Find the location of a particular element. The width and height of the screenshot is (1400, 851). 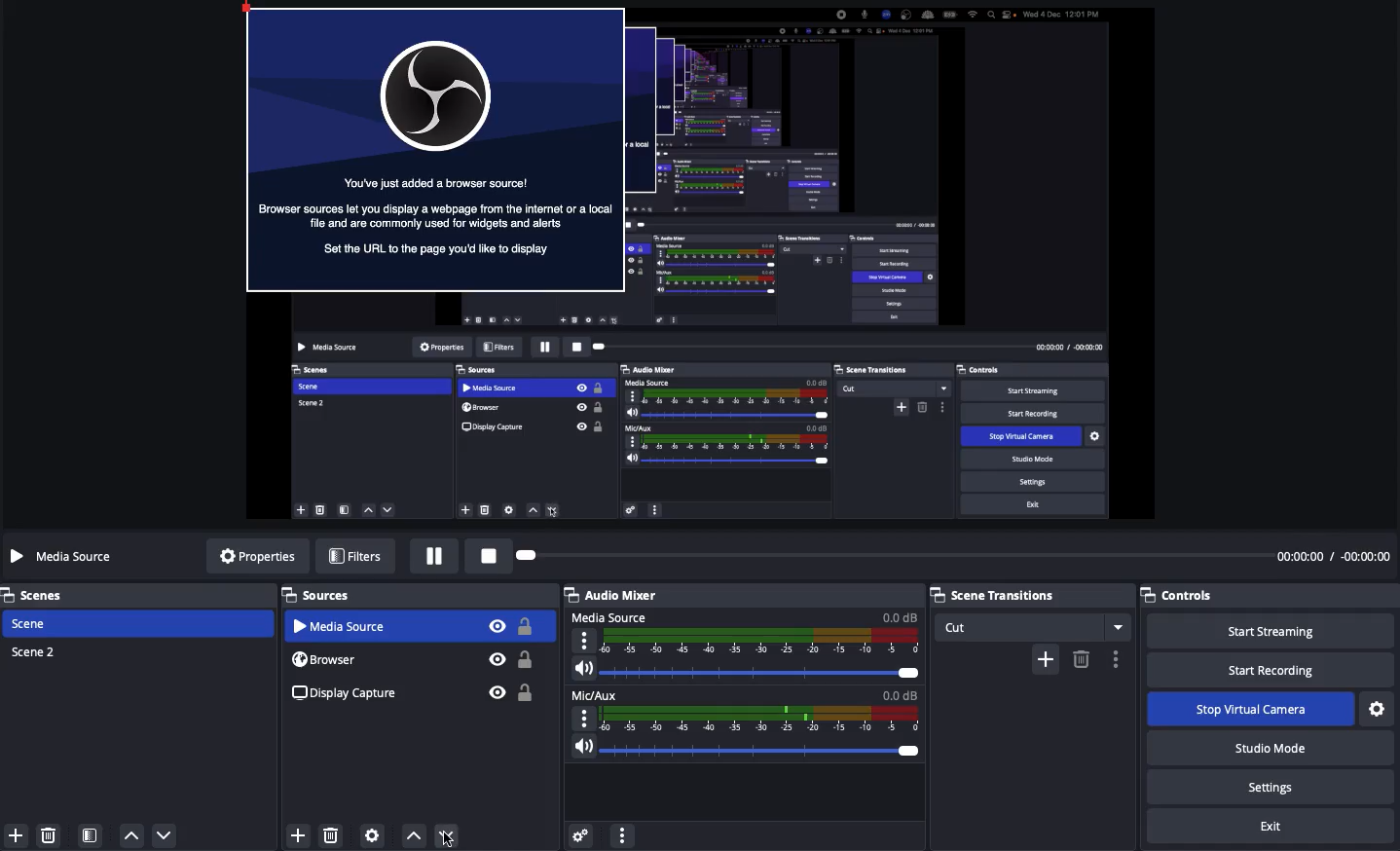

Properties is located at coordinates (256, 554).